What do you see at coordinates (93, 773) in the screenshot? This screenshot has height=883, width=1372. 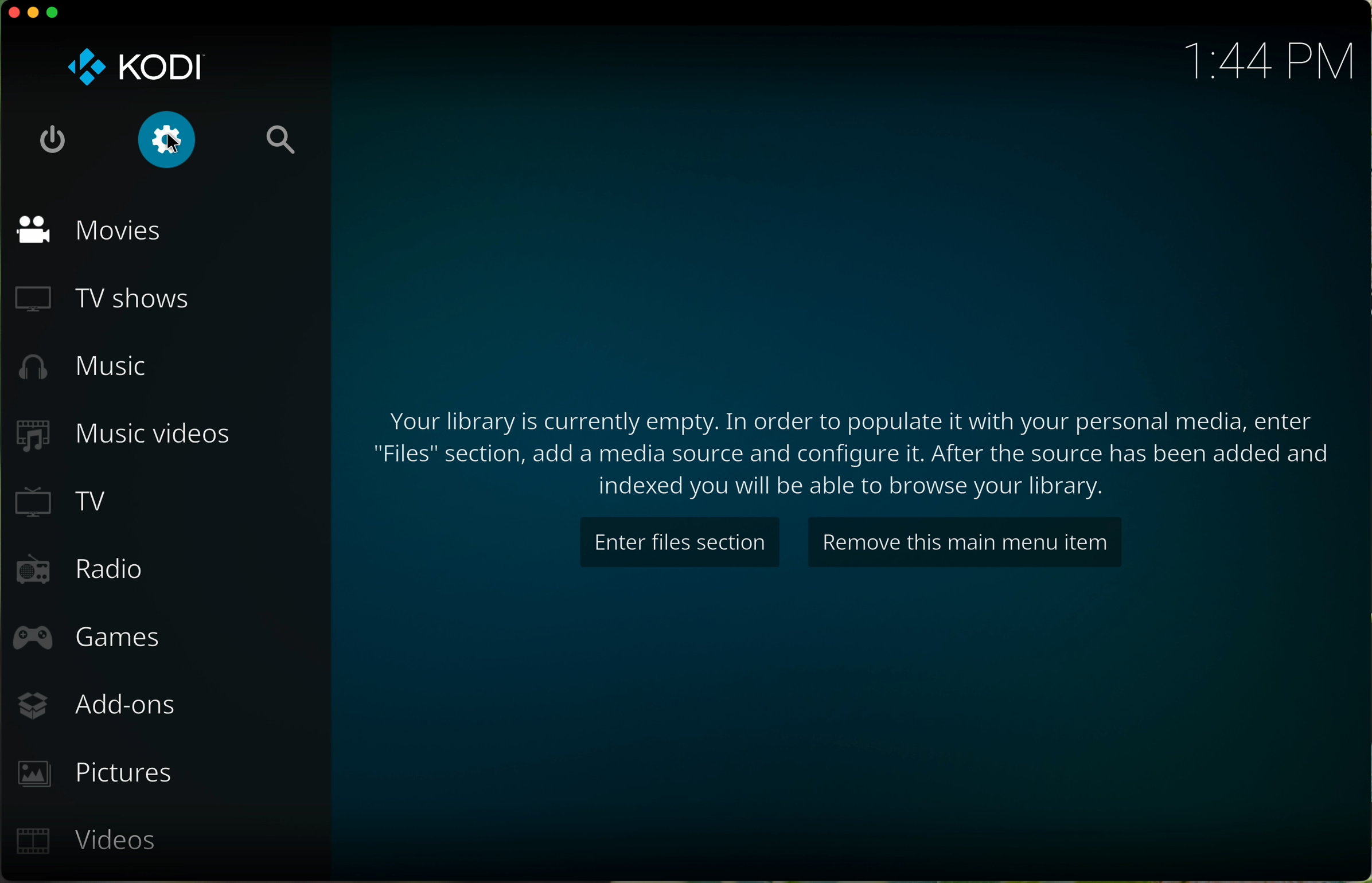 I see `pictures` at bounding box center [93, 773].